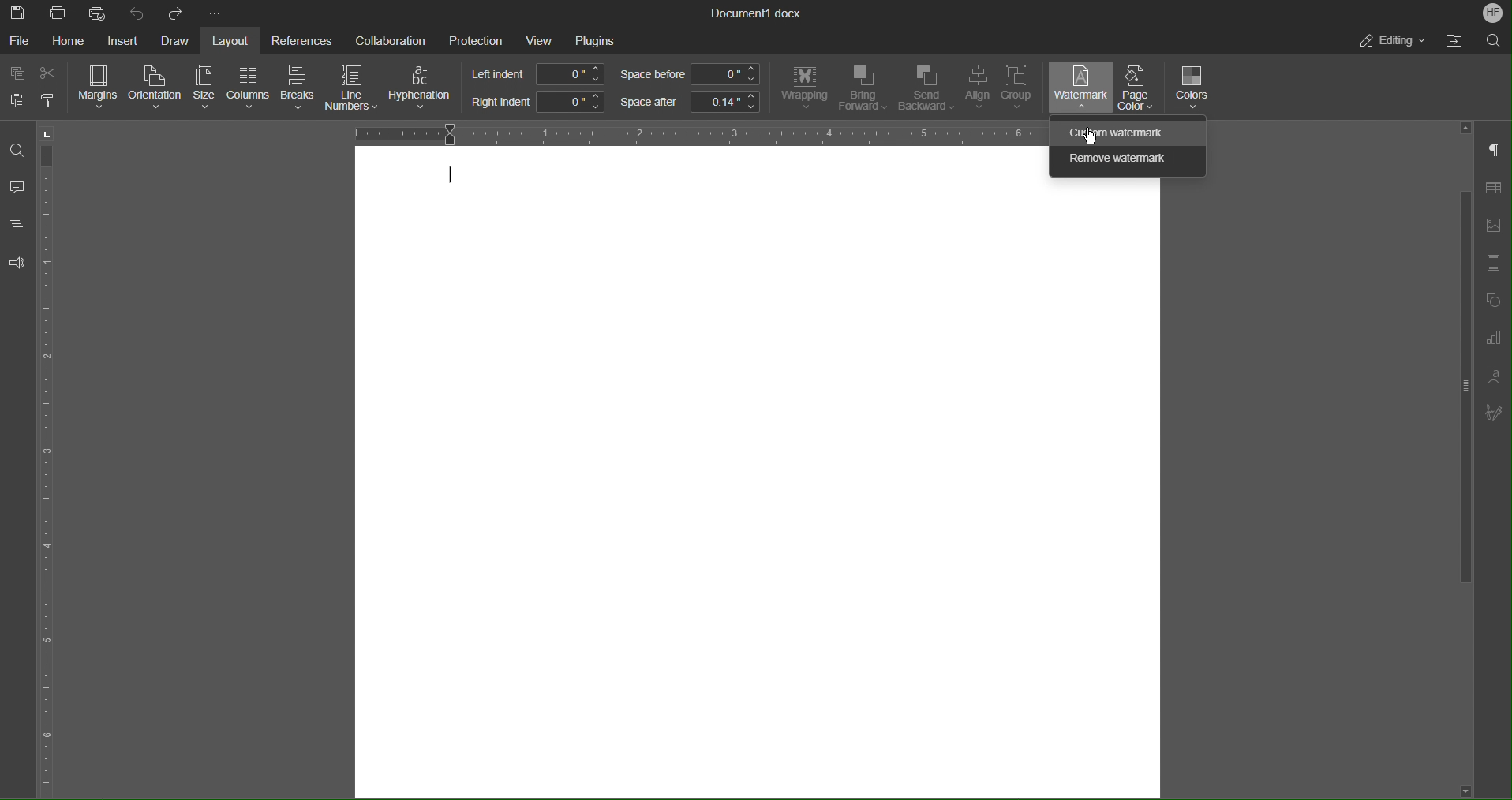 The height and width of the screenshot is (800, 1512). Describe the element at coordinates (1495, 151) in the screenshot. I see `Non-Printing Characters` at that location.